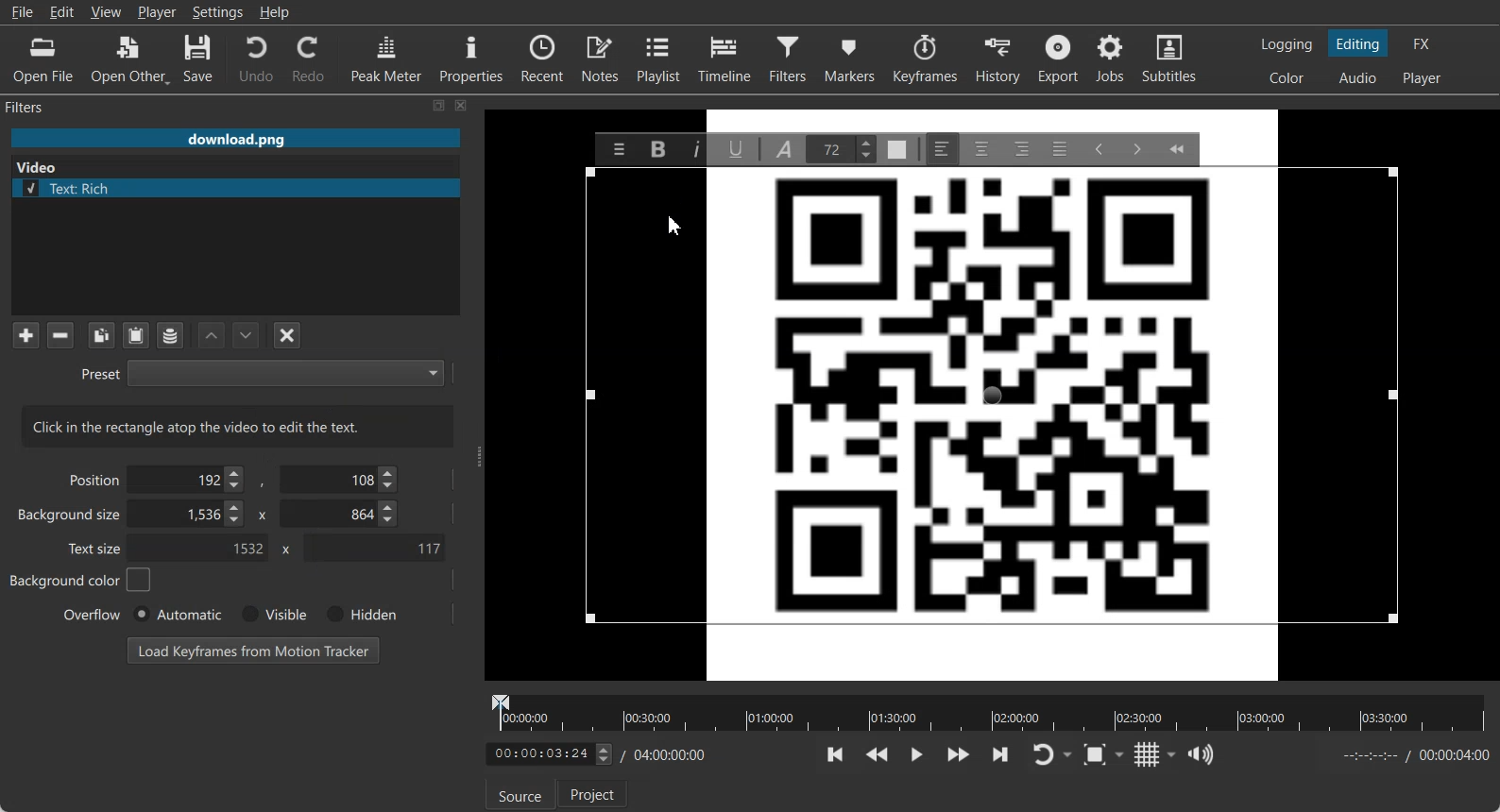  I want to click on Right, so click(1021, 148).